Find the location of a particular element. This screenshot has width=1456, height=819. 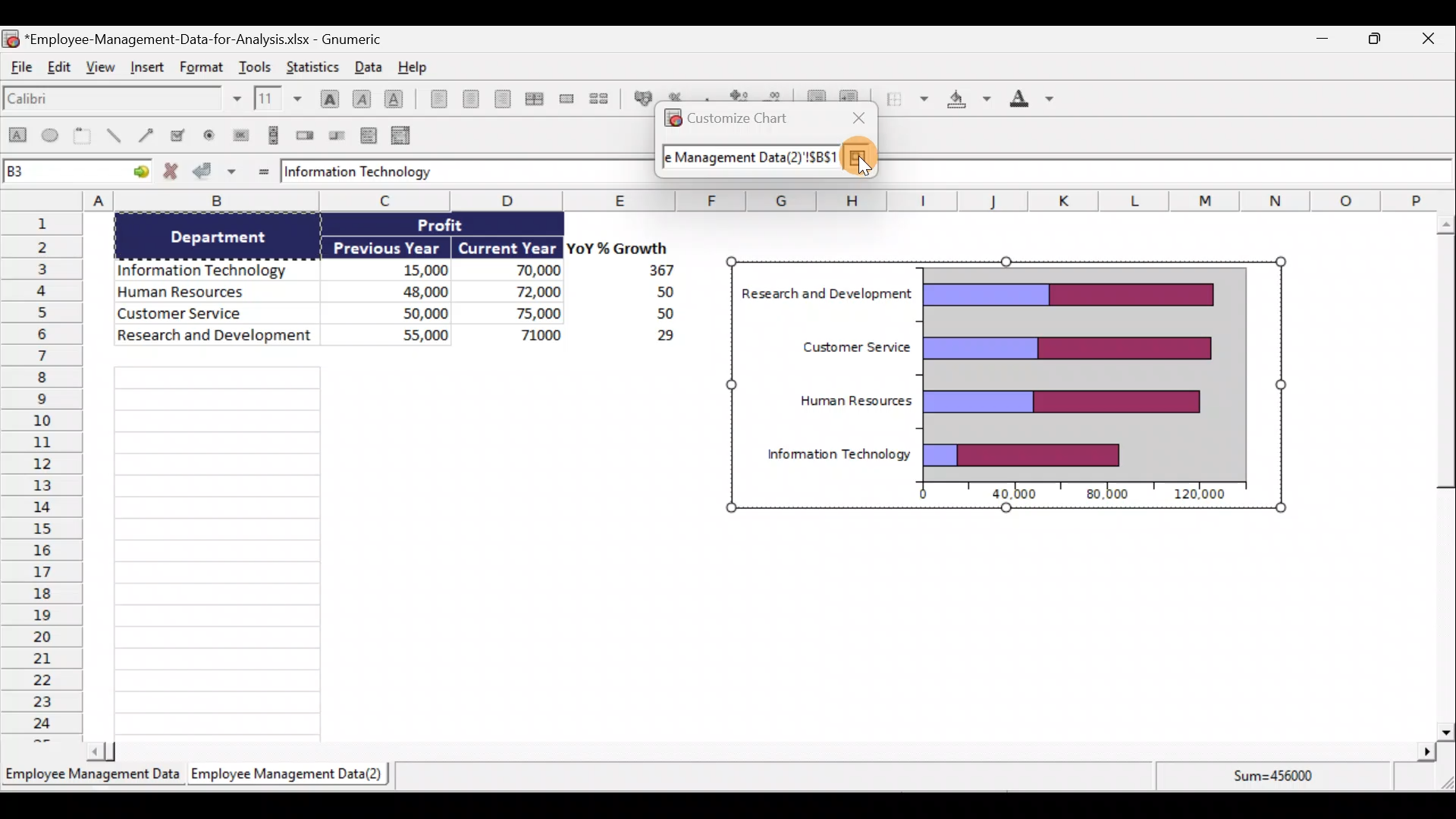

Minimize is located at coordinates (1321, 40).